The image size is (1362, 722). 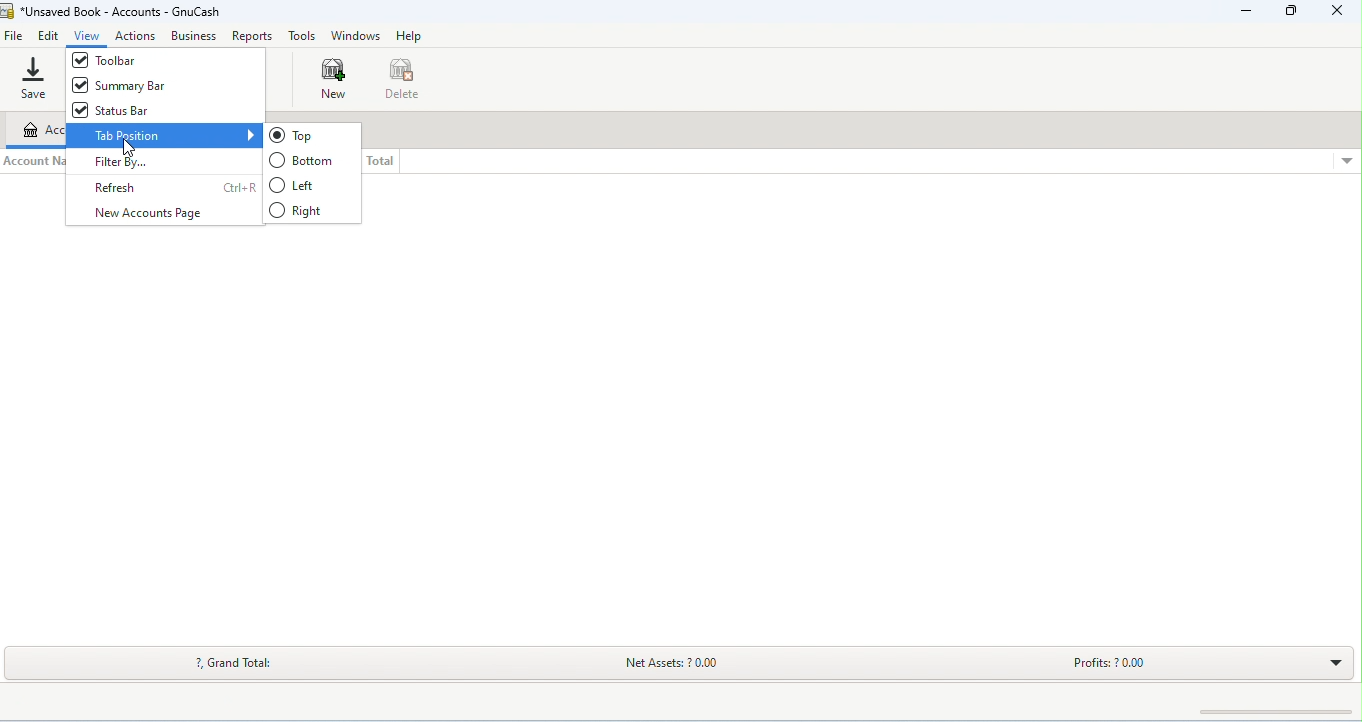 What do you see at coordinates (1334, 661) in the screenshot?
I see `drop down` at bounding box center [1334, 661].